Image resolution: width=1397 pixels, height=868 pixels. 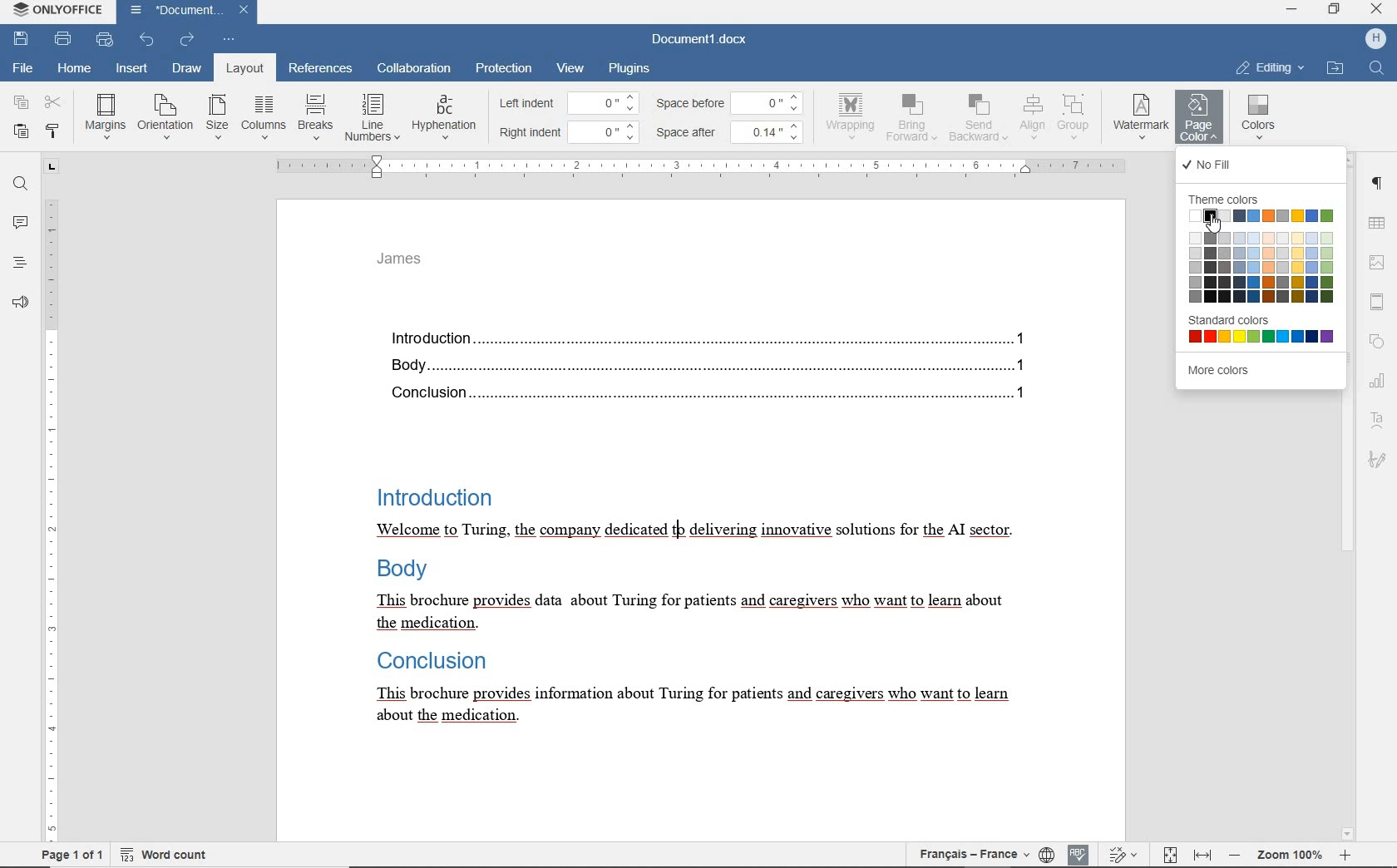 I want to click on chart, so click(x=1379, y=382).